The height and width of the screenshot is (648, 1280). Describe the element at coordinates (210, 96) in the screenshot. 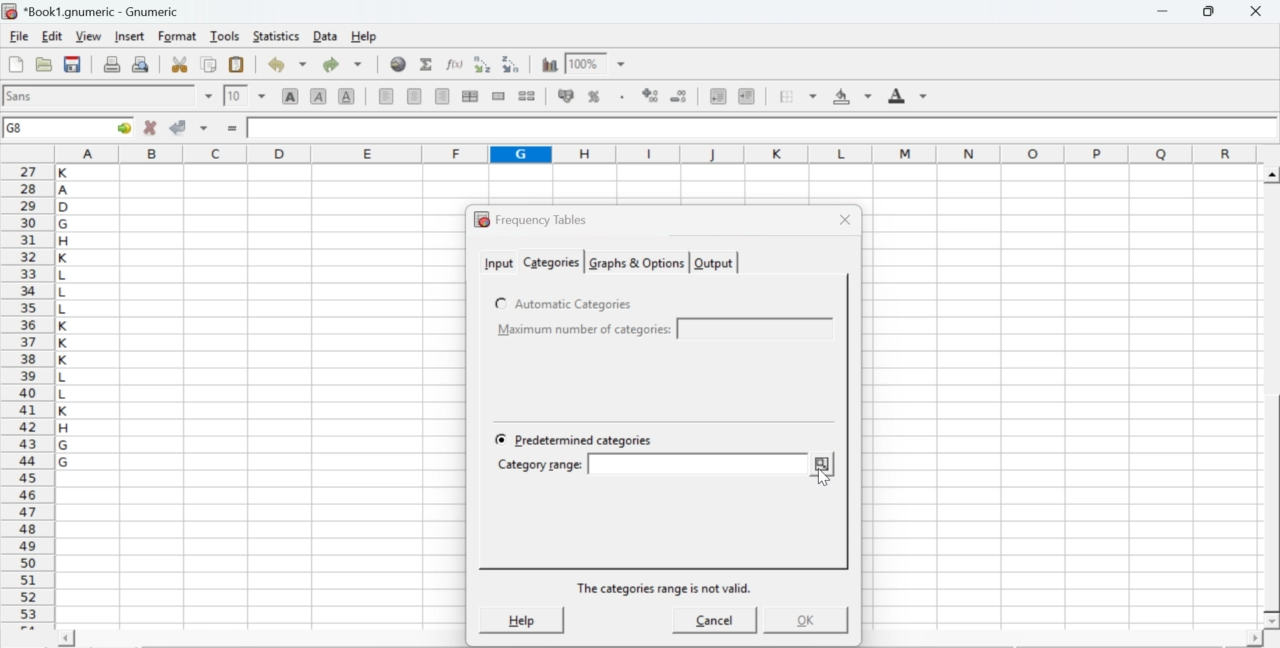

I see `drop down` at that location.